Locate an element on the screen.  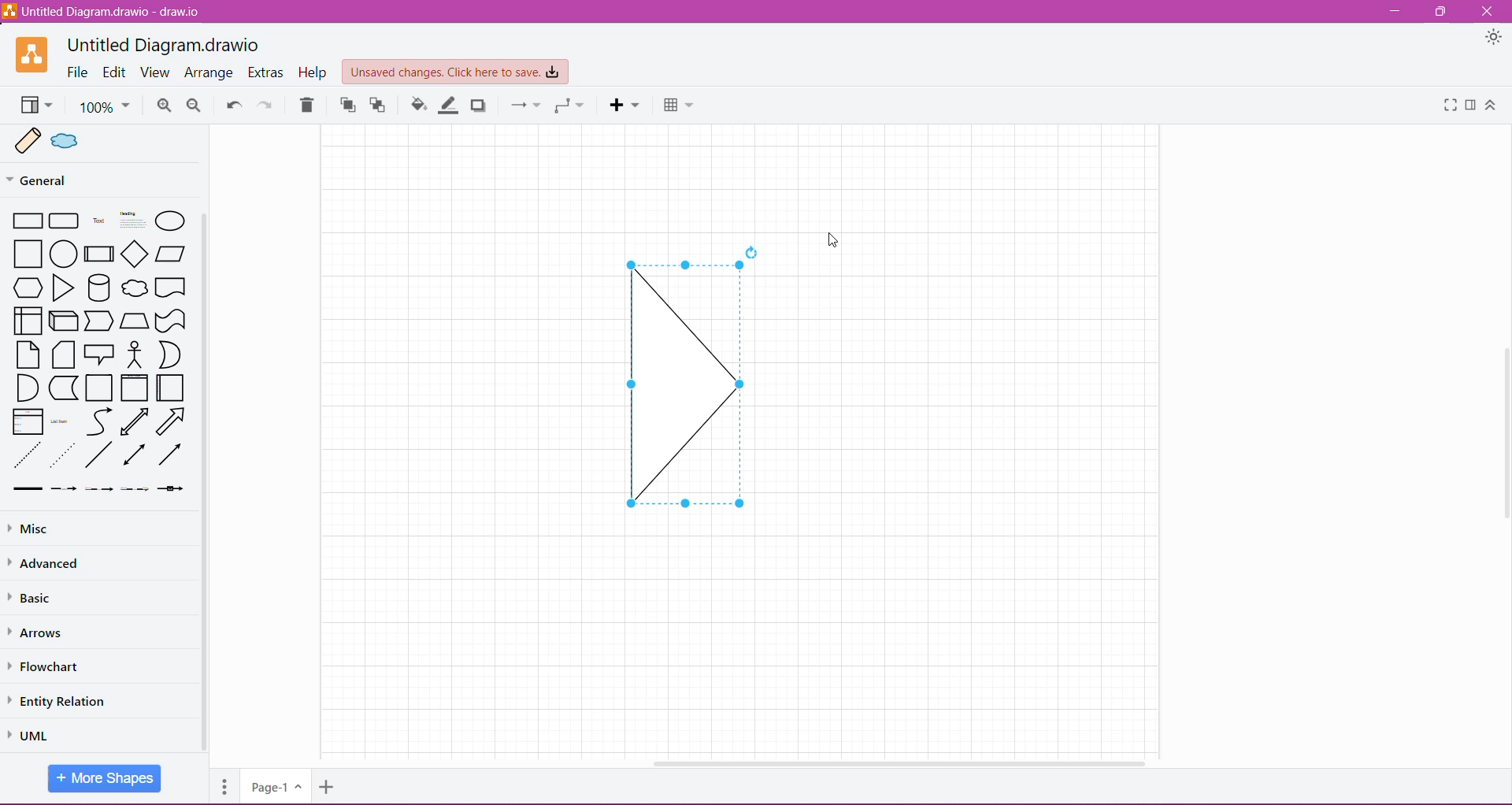
Zoom Out is located at coordinates (191, 106).